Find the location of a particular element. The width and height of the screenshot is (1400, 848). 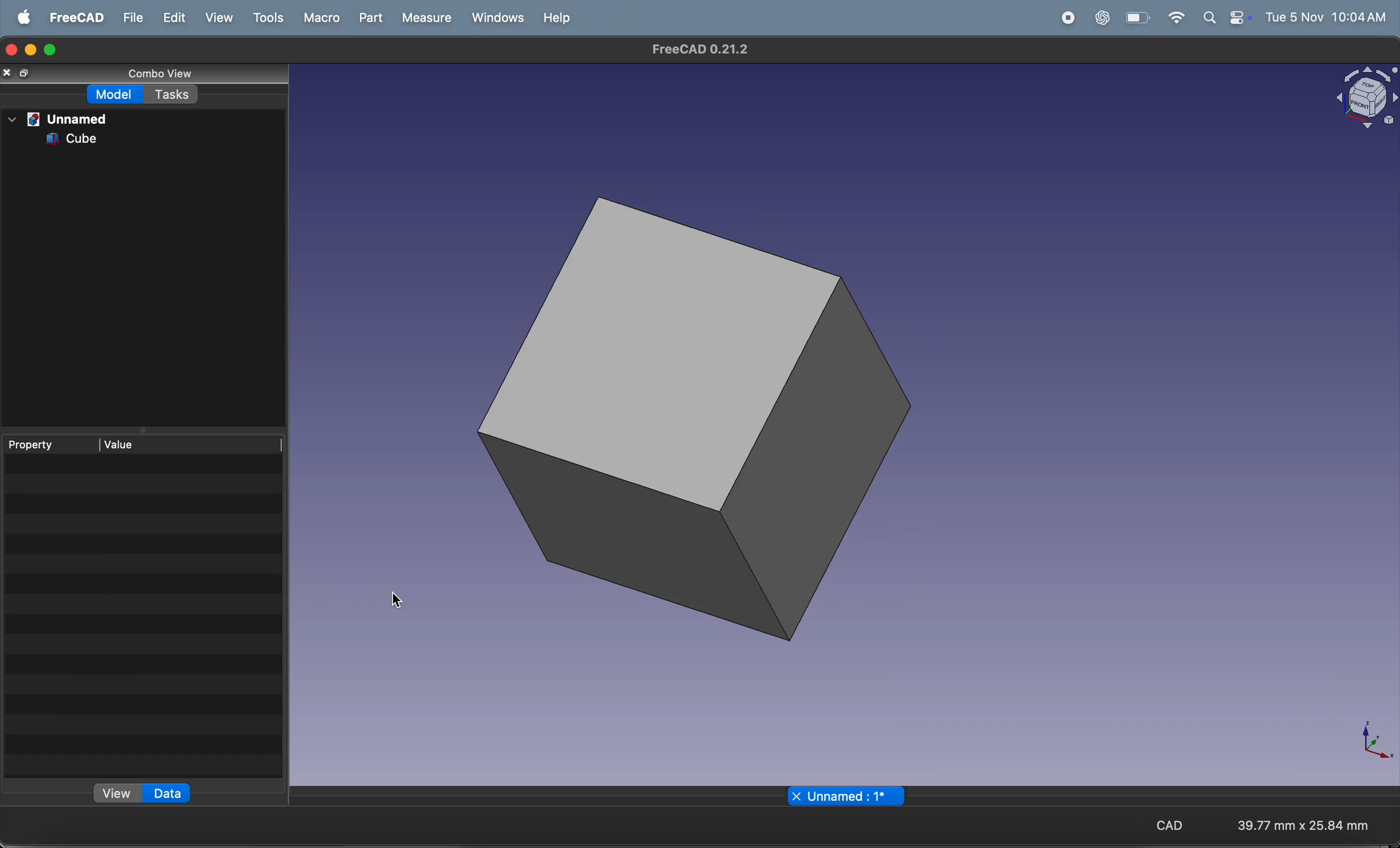

aspect ratio is located at coordinates (1299, 824).